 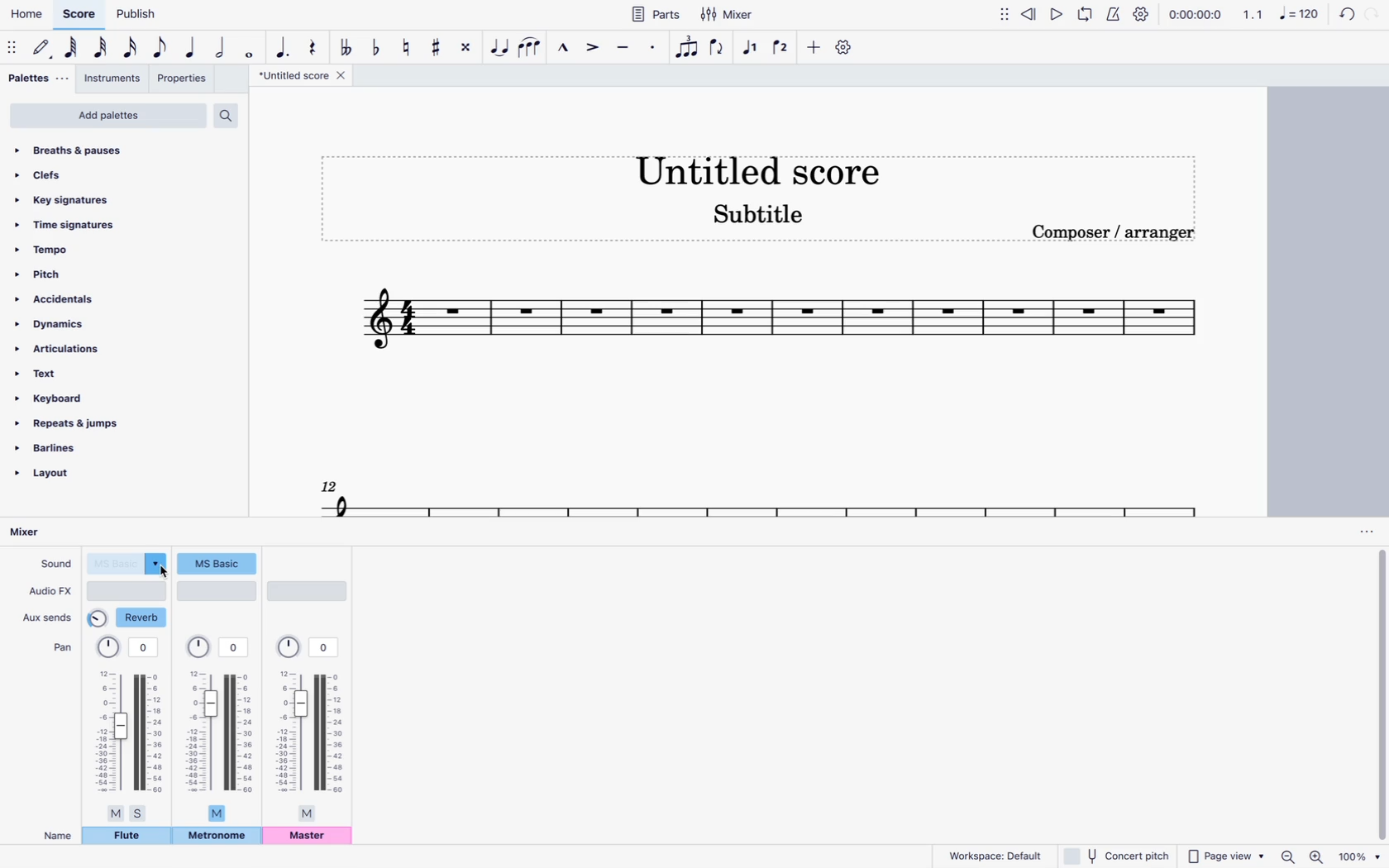 I want to click on settings, so click(x=846, y=47).